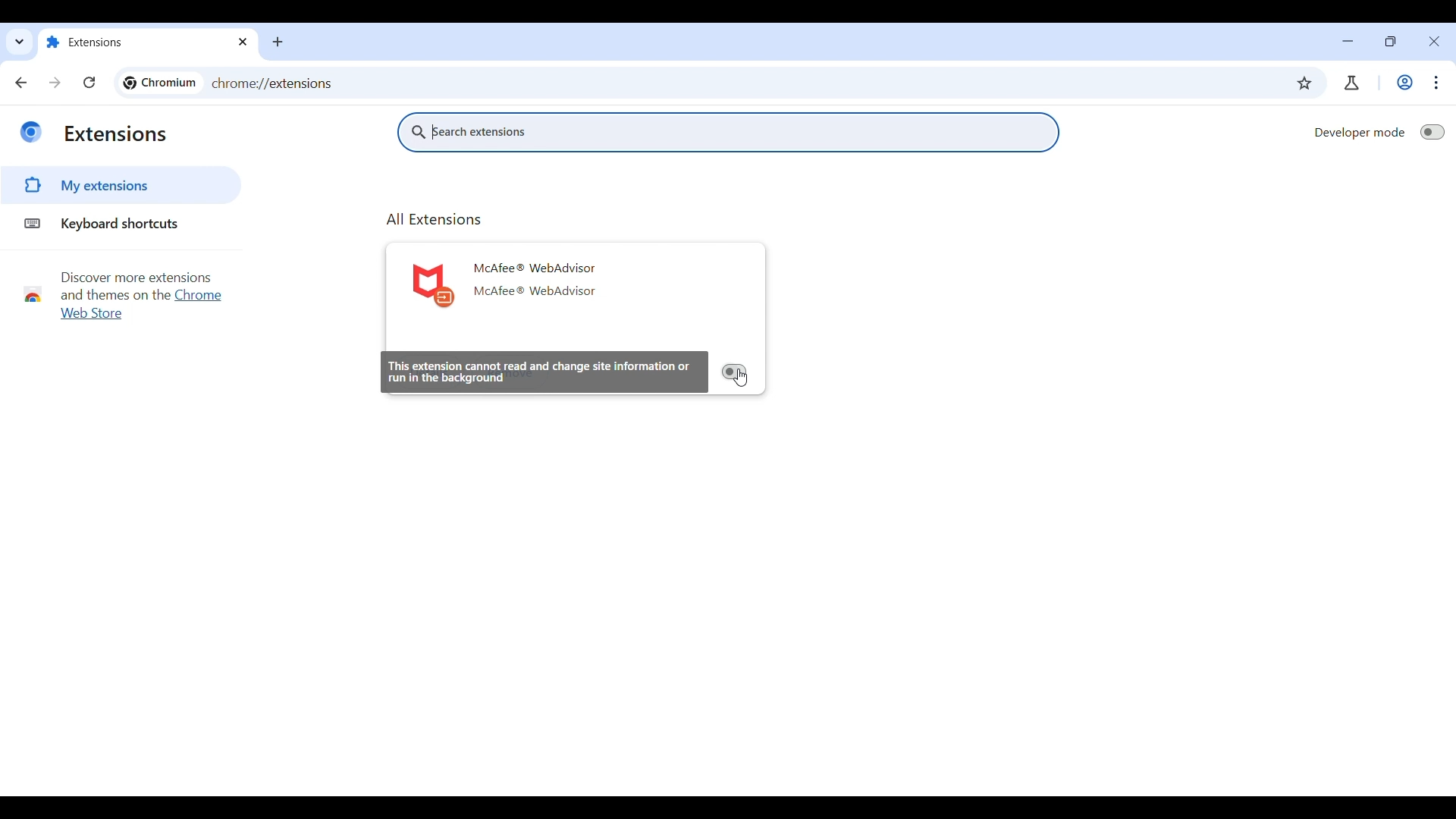 This screenshot has width=1456, height=819. What do you see at coordinates (55, 83) in the screenshot?
I see `Go forward` at bounding box center [55, 83].